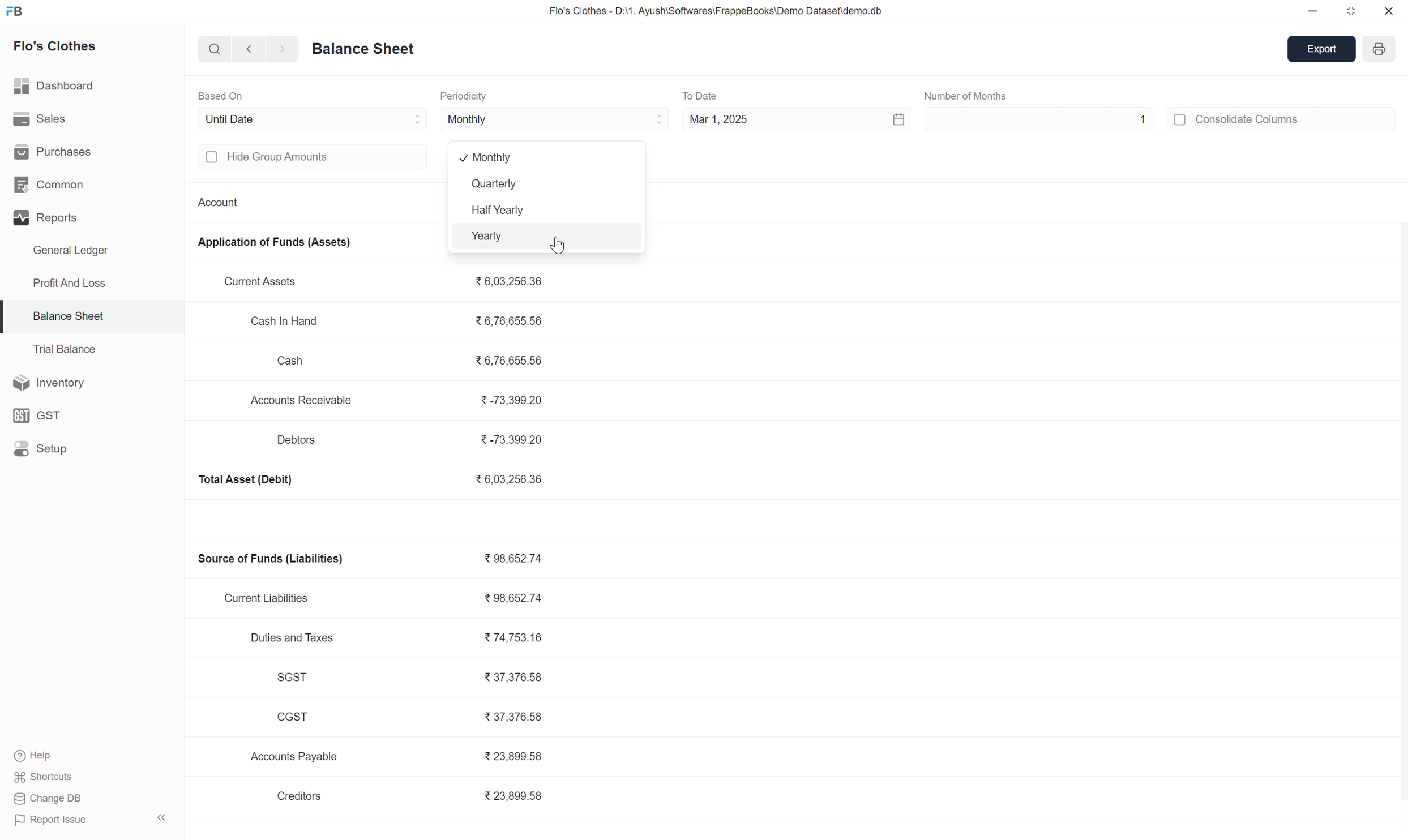  I want to click on Report Issue, so click(47, 820).